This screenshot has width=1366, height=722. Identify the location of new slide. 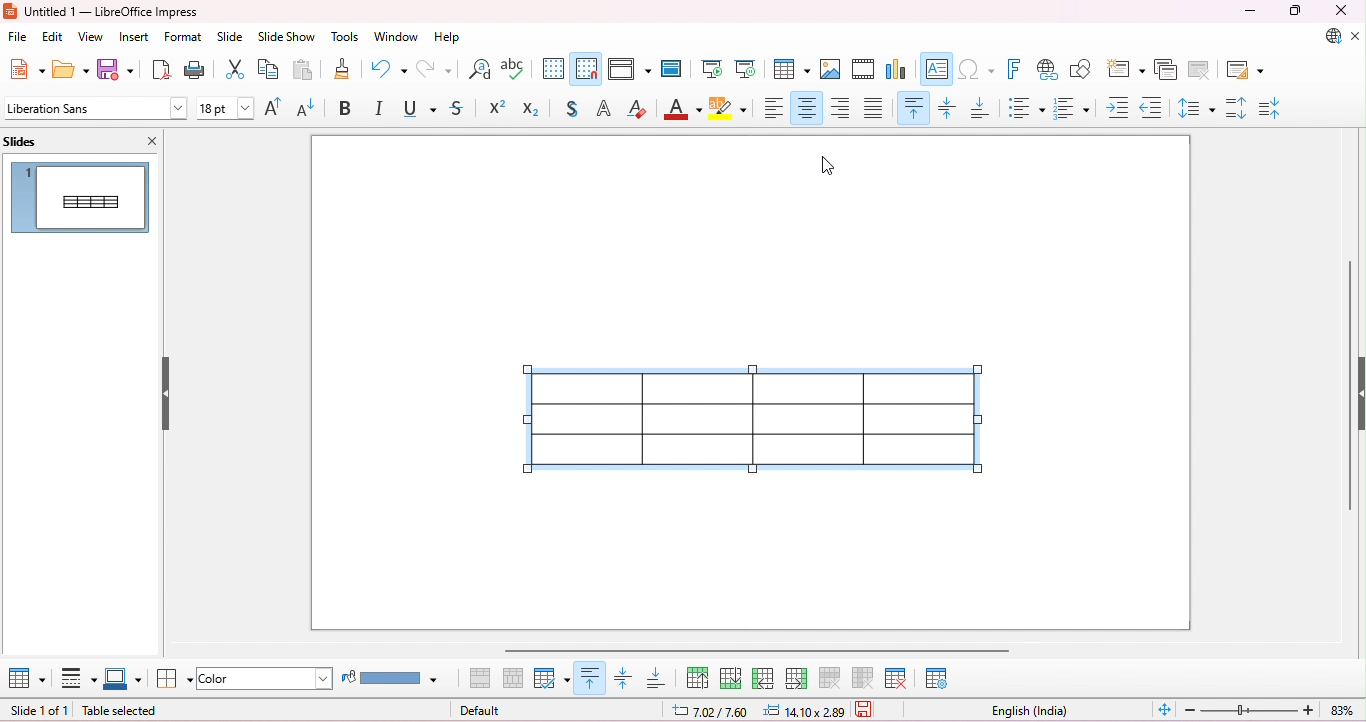
(1127, 67).